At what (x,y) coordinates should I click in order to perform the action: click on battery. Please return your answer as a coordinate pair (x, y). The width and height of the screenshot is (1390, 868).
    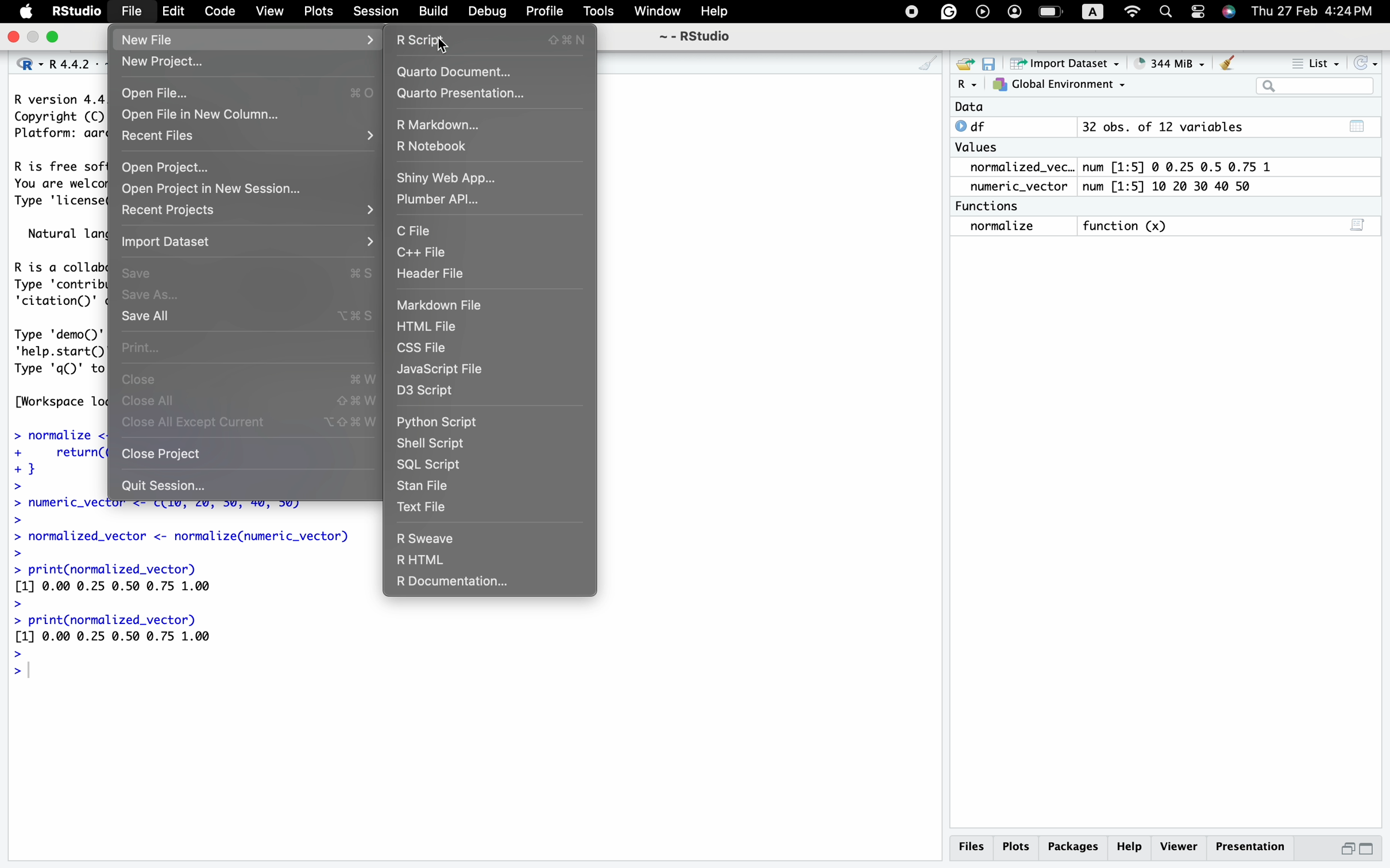
    Looking at the image, I should click on (1052, 10).